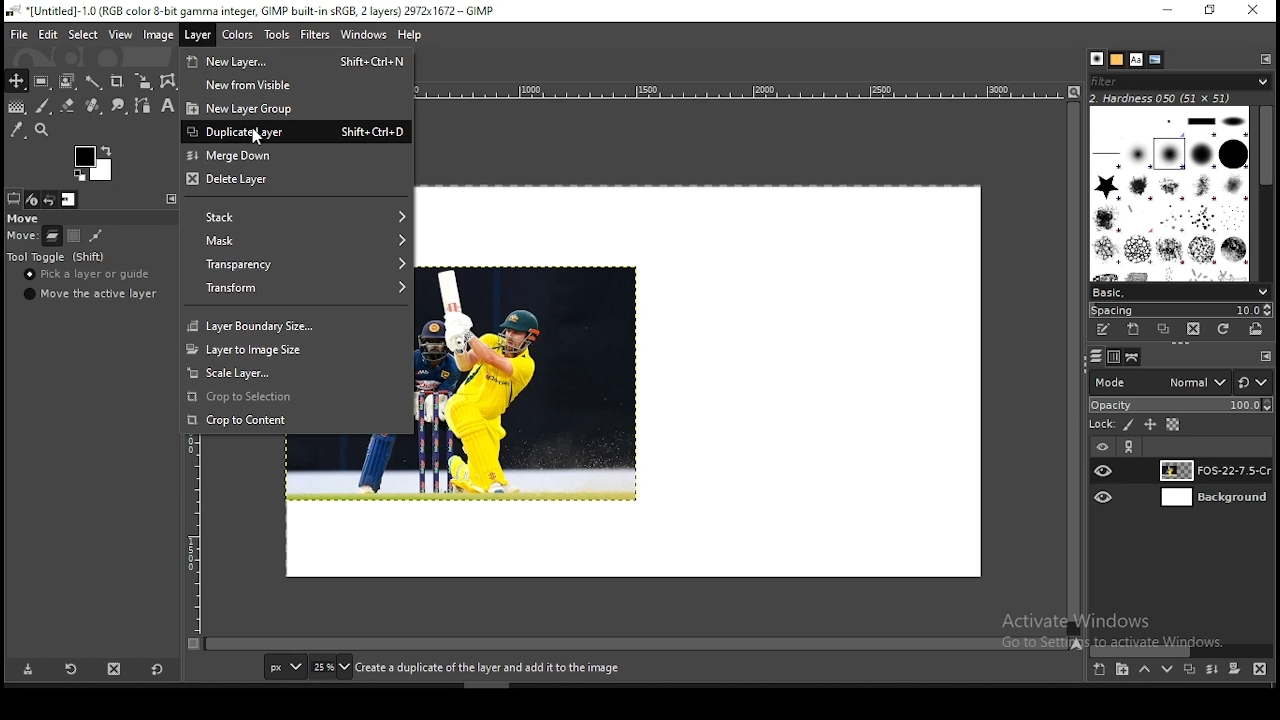  What do you see at coordinates (295, 397) in the screenshot?
I see `crop to selection` at bounding box center [295, 397].